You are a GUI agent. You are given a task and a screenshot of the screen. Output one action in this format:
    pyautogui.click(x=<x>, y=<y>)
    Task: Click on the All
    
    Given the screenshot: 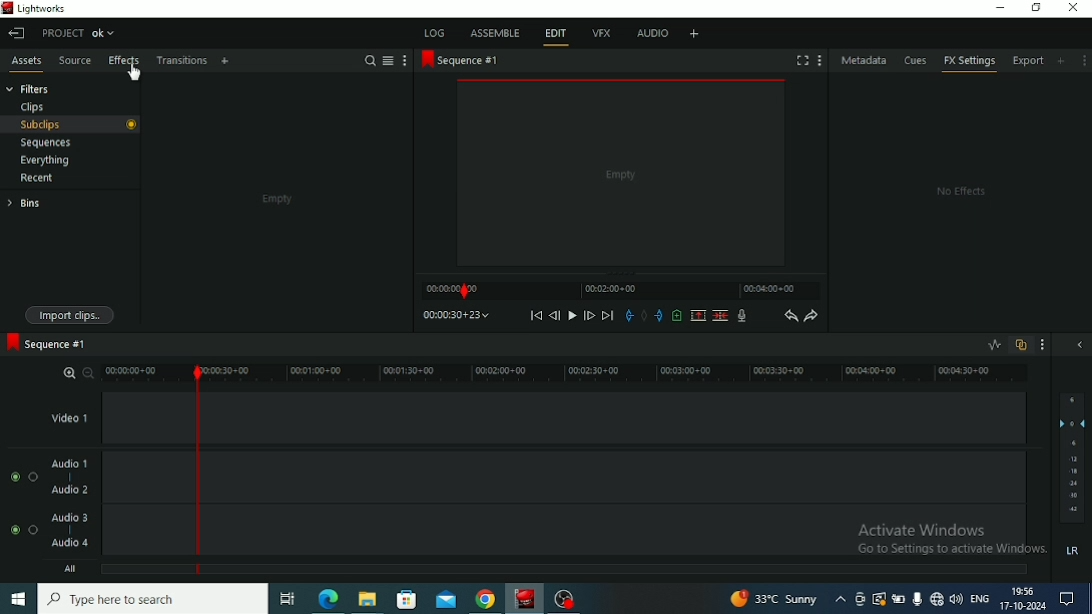 What is the action you would take?
    pyautogui.click(x=624, y=571)
    